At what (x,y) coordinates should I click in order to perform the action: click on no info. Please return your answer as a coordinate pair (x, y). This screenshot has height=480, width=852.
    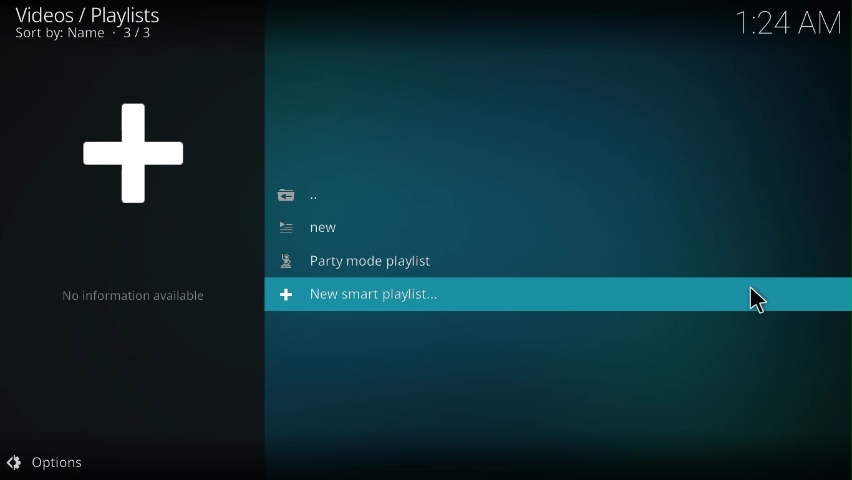
    Looking at the image, I should click on (133, 297).